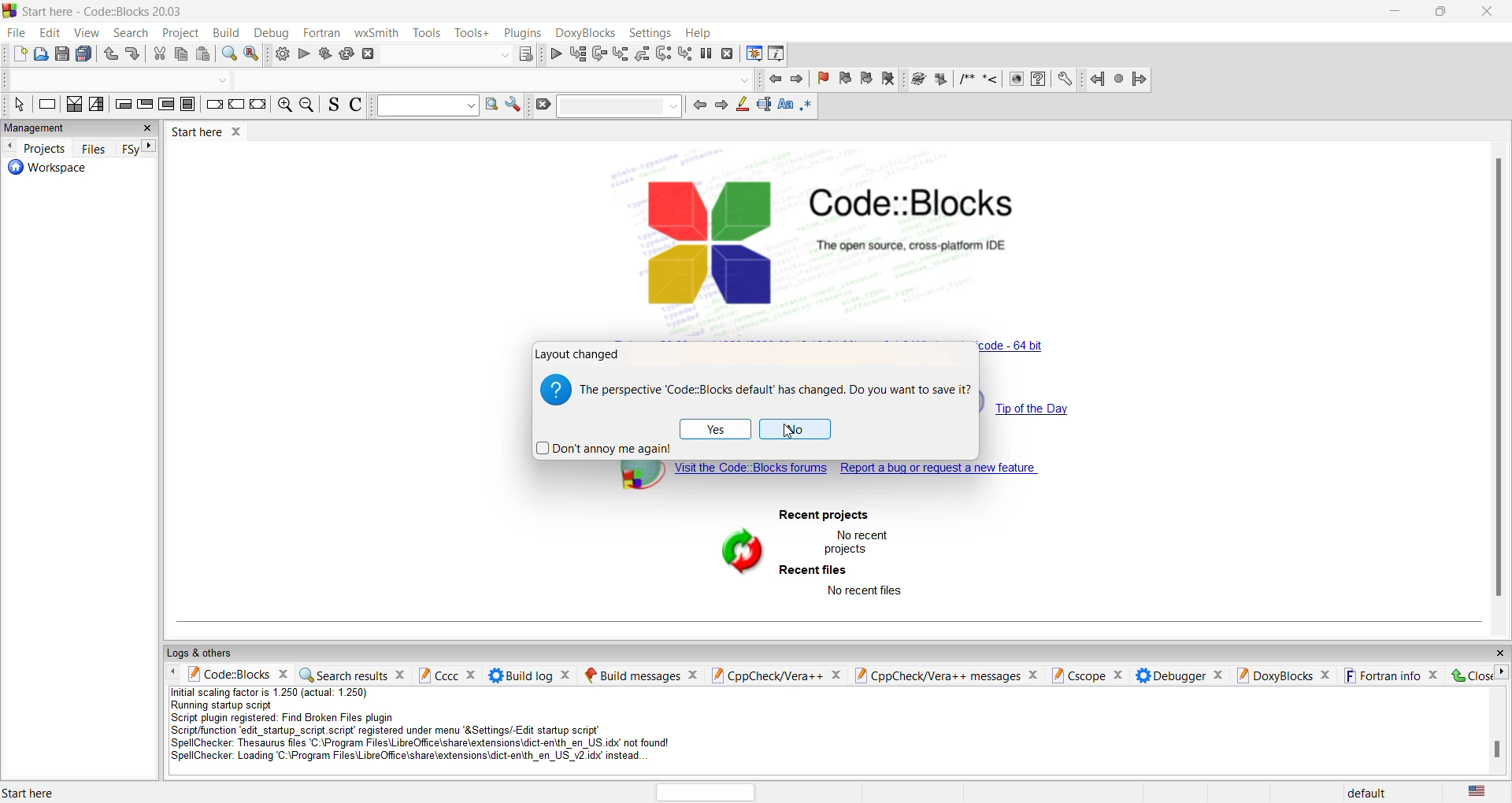 The height and width of the screenshot is (803, 1512). Describe the element at coordinates (87, 35) in the screenshot. I see `view` at that location.